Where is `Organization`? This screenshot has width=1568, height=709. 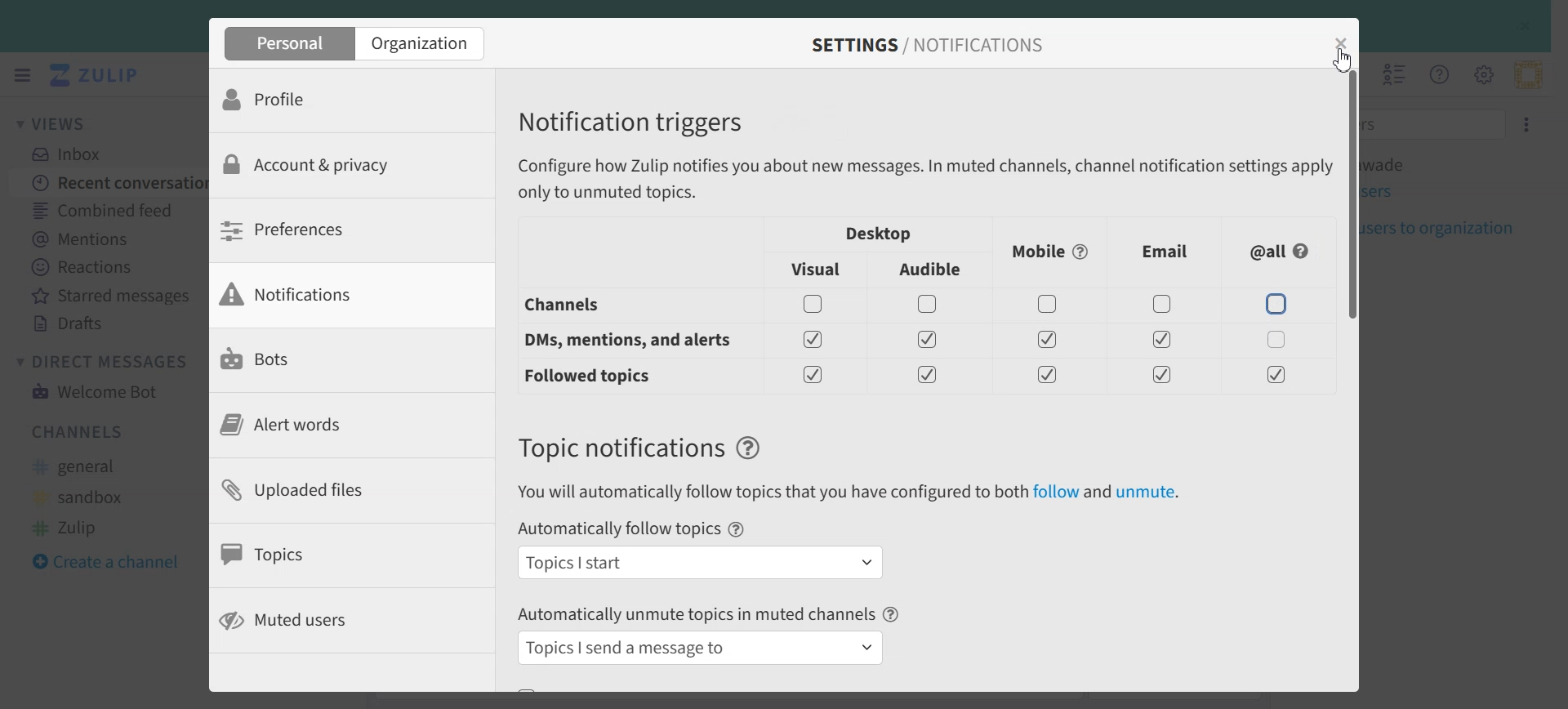
Organization is located at coordinates (423, 43).